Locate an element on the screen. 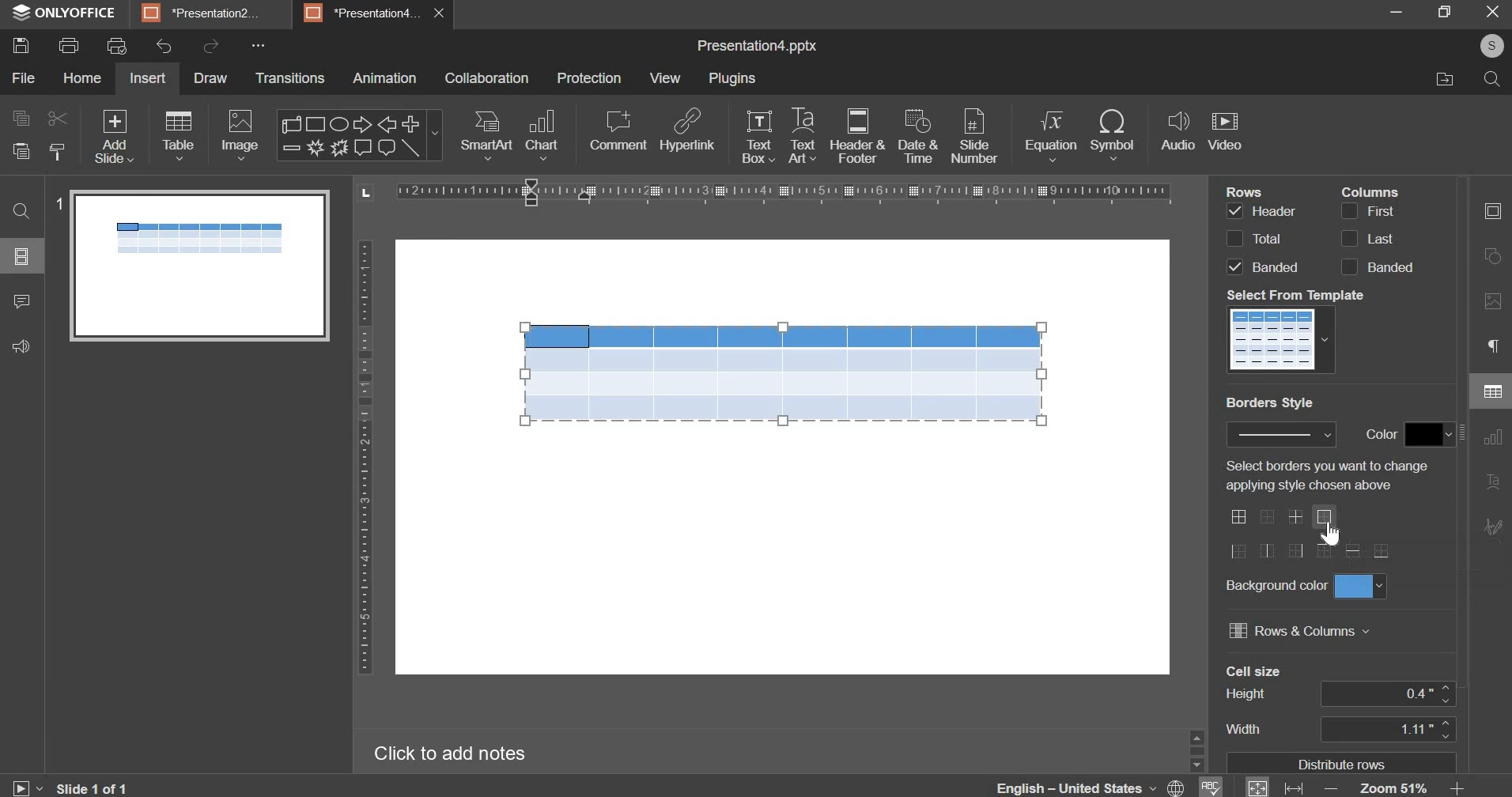 This screenshot has height=797, width=1512. columns banded is located at coordinates (1382, 265).